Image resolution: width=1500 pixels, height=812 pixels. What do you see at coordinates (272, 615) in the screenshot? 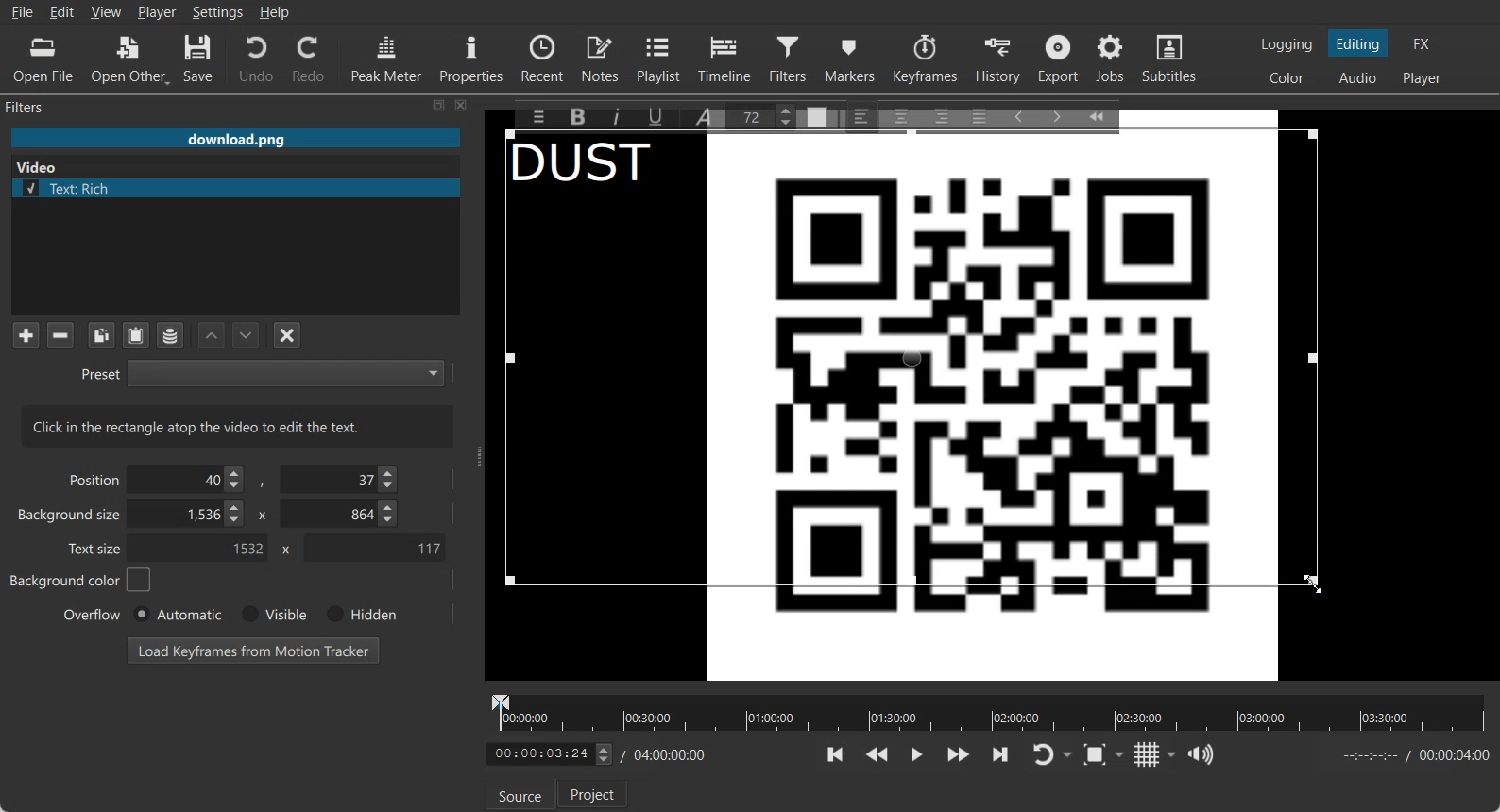
I see `Visible` at bounding box center [272, 615].